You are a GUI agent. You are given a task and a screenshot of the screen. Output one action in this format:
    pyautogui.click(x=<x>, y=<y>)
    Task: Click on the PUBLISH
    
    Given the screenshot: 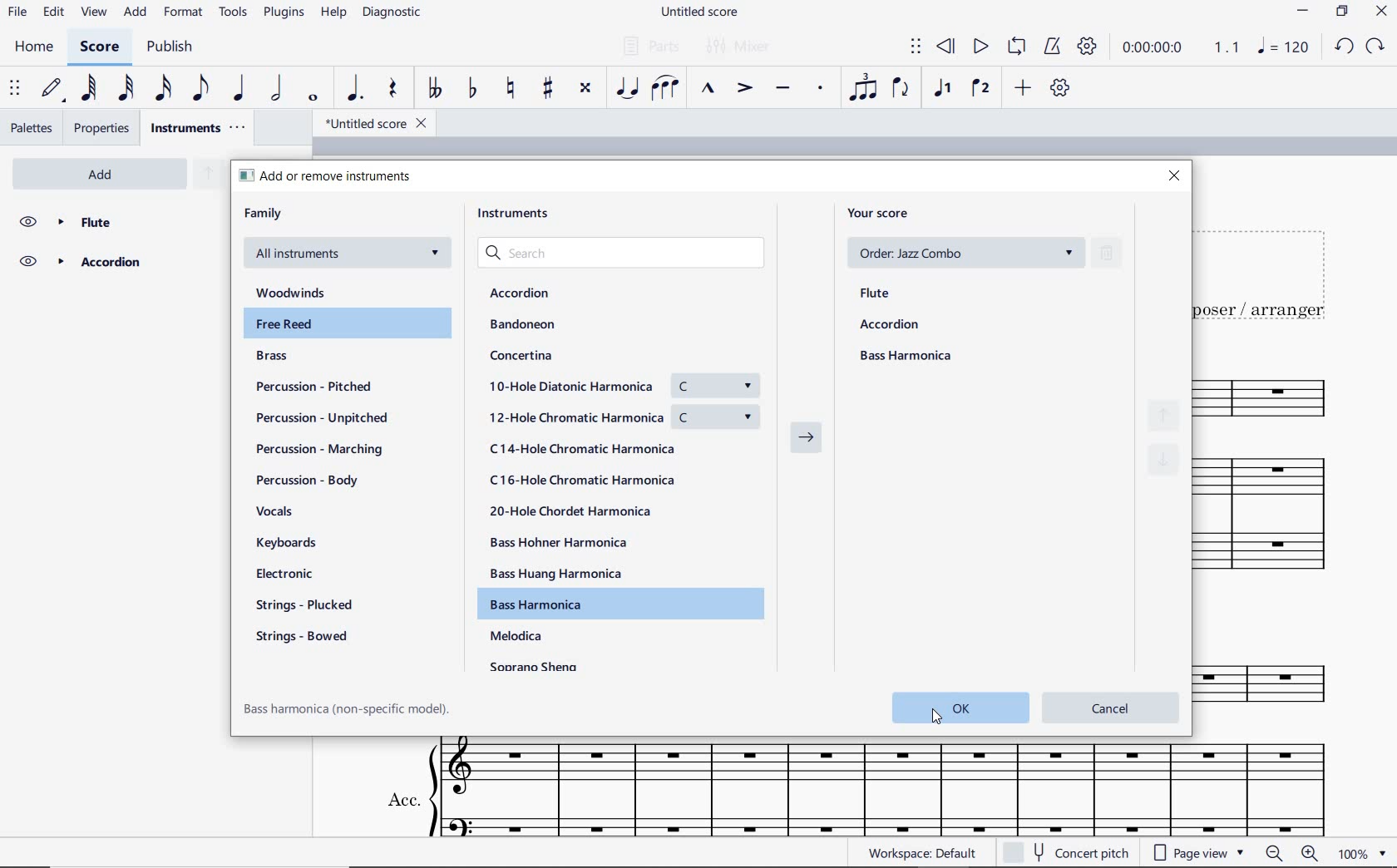 What is the action you would take?
    pyautogui.click(x=172, y=47)
    